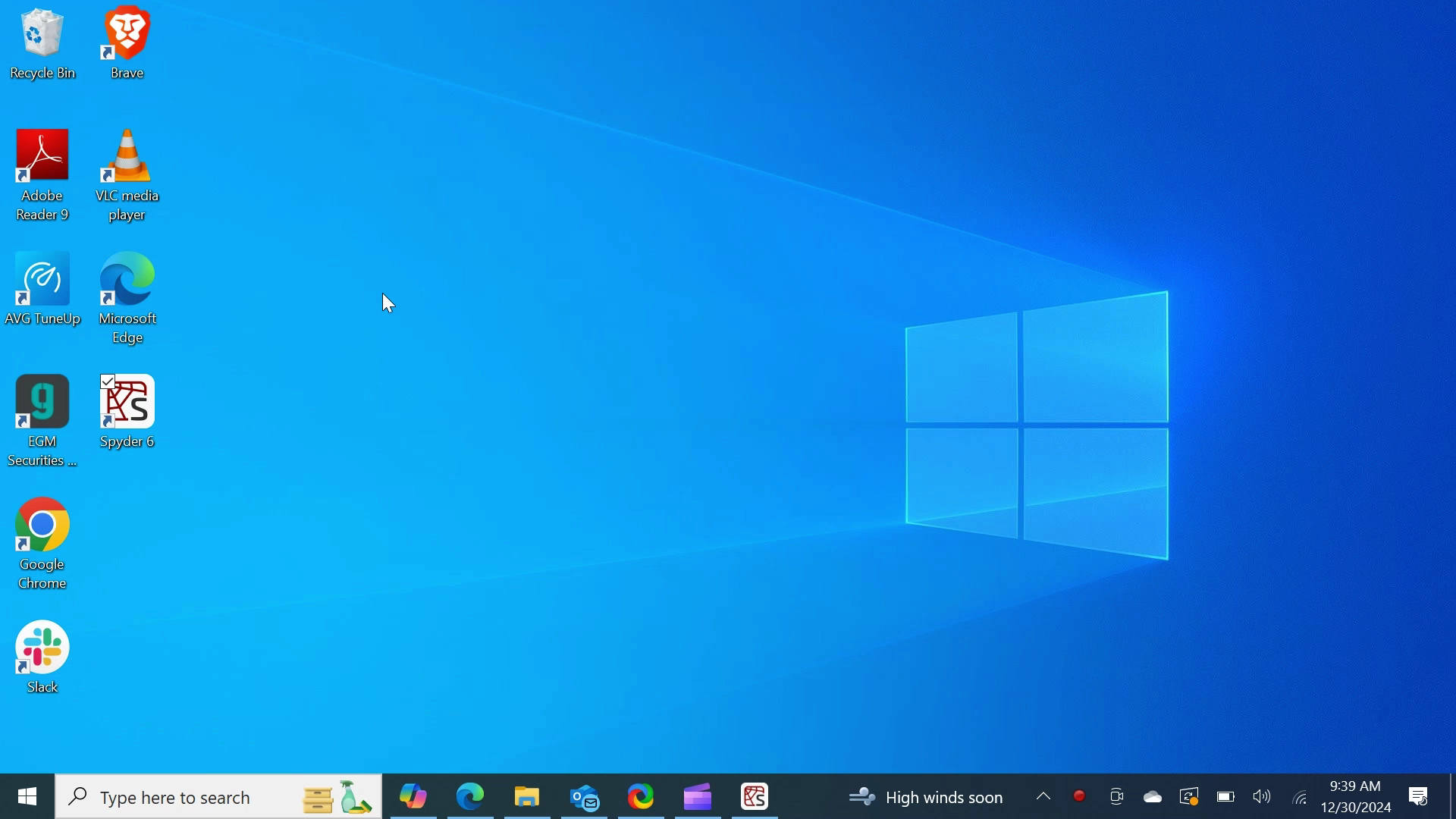 This screenshot has width=1456, height=819. I want to click on Updates, so click(924, 797).